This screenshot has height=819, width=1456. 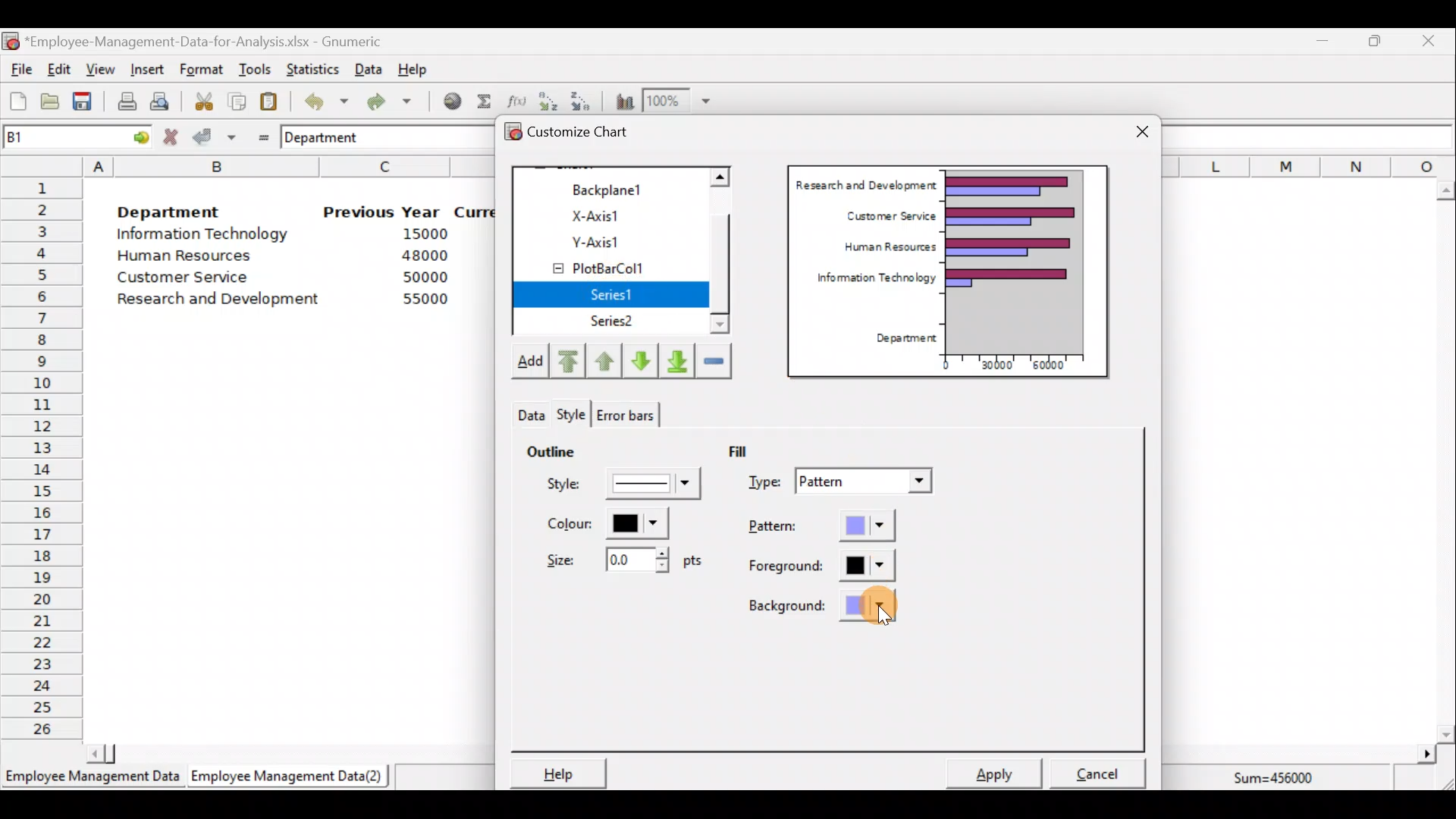 What do you see at coordinates (283, 752) in the screenshot?
I see `Scroll bar` at bounding box center [283, 752].